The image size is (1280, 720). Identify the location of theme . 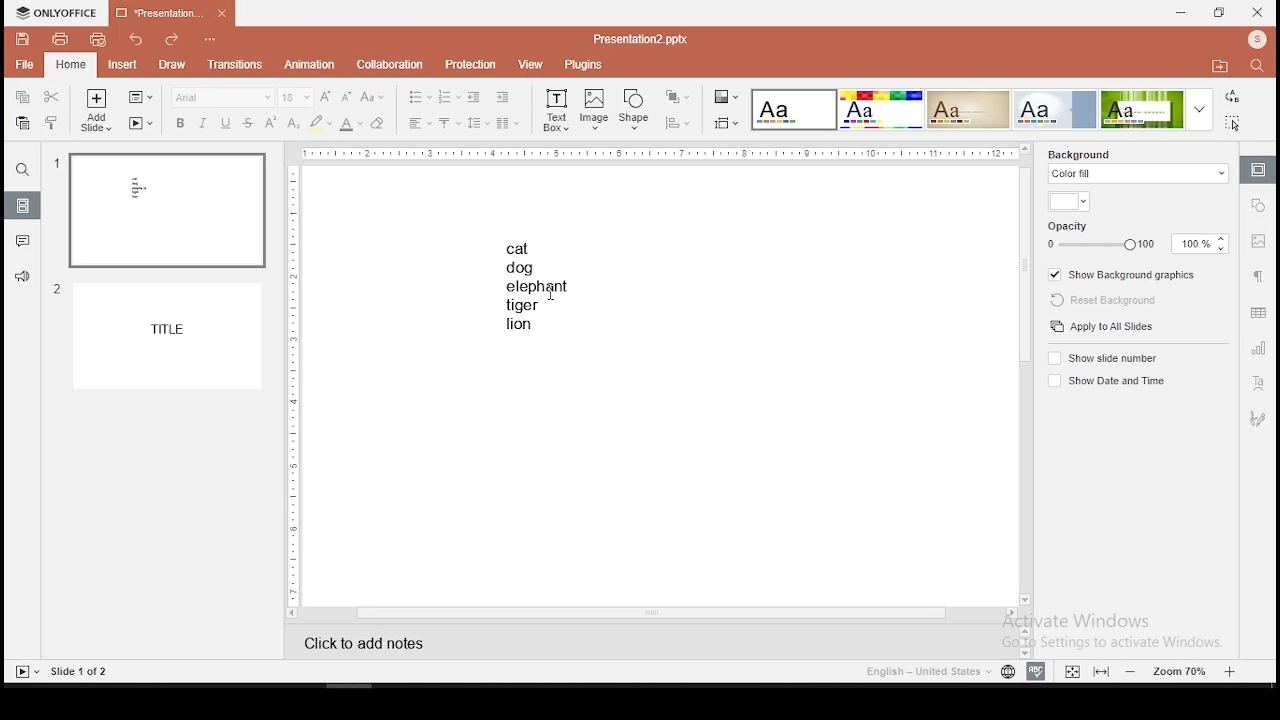
(1156, 110).